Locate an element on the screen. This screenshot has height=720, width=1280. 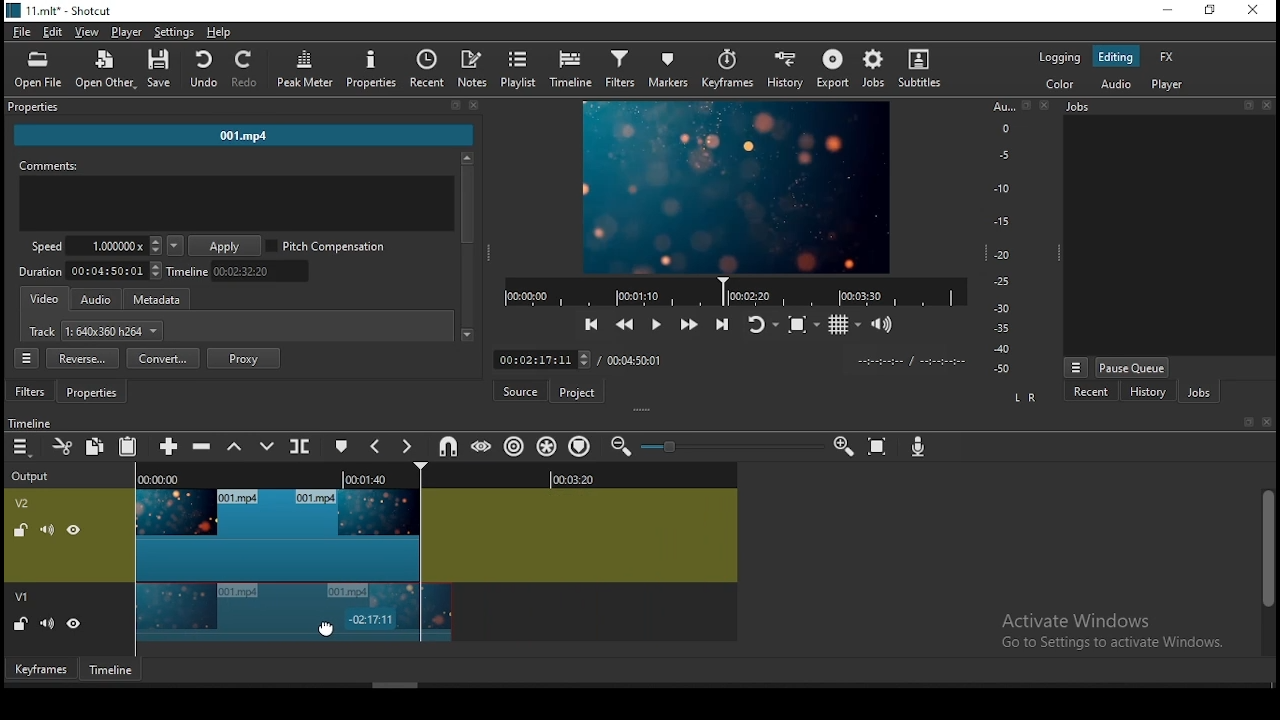
properties is located at coordinates (95, 393).